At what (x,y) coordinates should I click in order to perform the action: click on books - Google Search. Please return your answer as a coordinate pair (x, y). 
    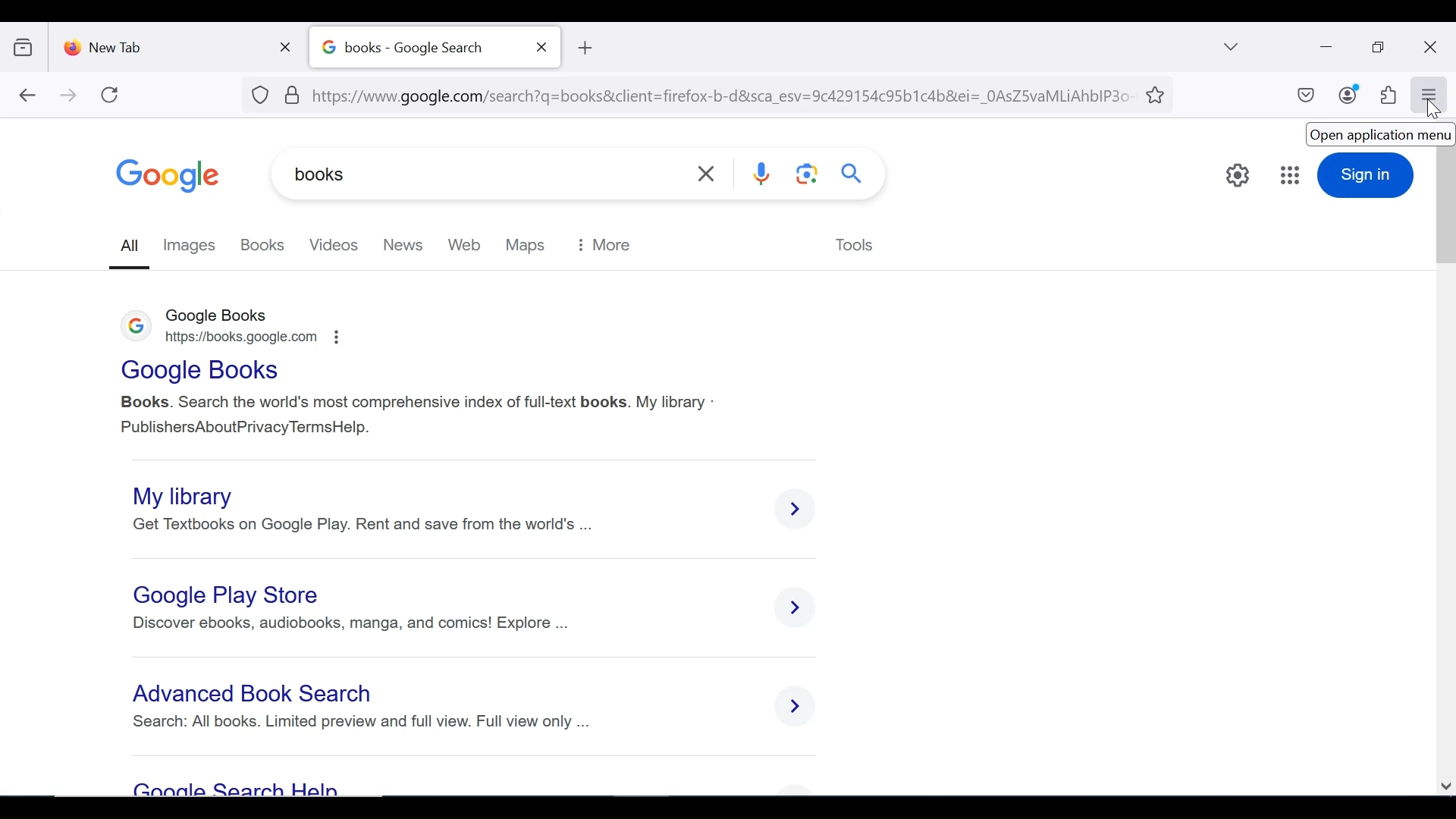
    Looking at the image, I should click on (418, 48).